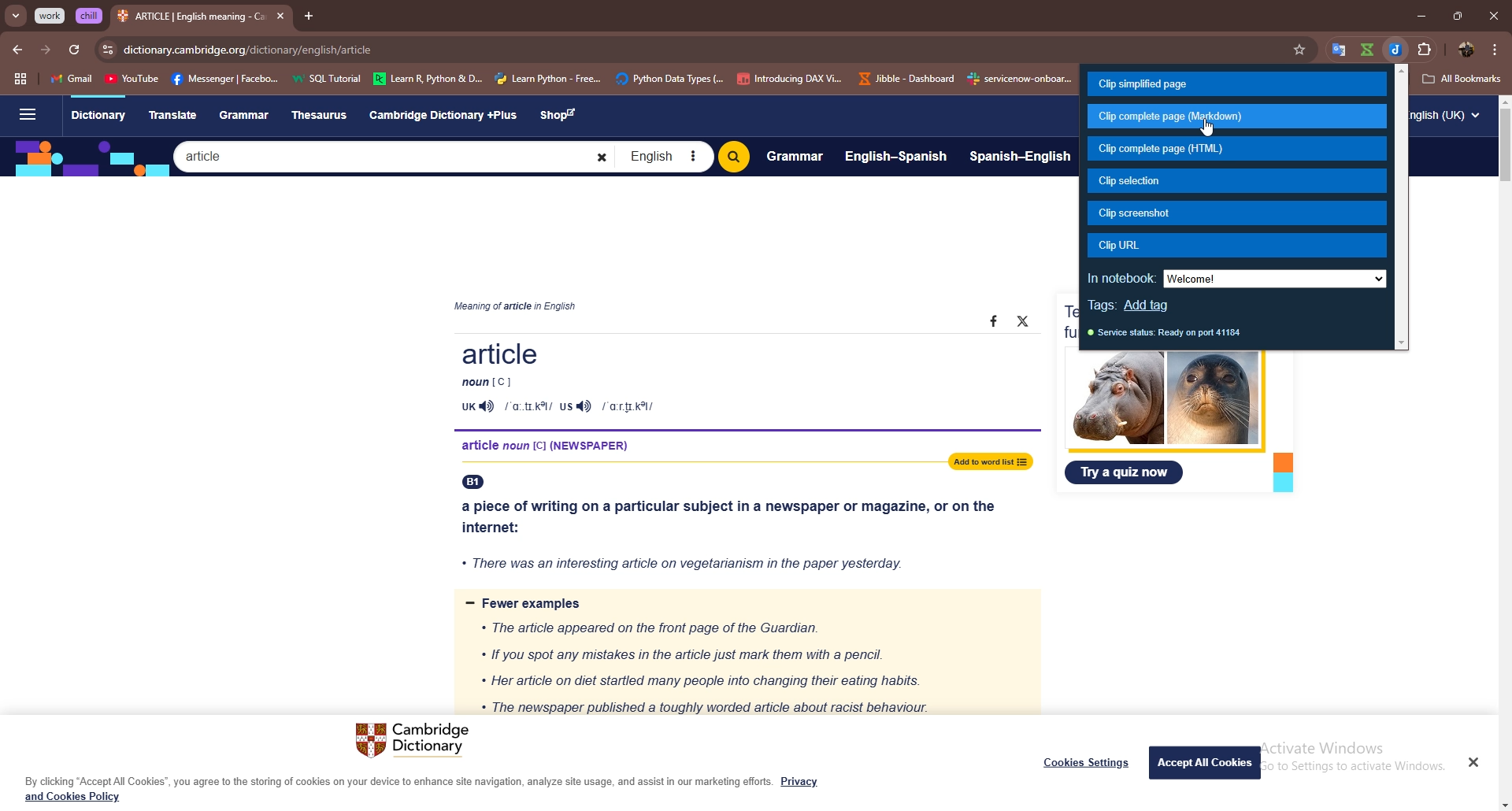 This screenshot has width=1512, height=811. Describe the element at coordinates (1403, 207) in the screenshot. I see `scroll bar` at that location.